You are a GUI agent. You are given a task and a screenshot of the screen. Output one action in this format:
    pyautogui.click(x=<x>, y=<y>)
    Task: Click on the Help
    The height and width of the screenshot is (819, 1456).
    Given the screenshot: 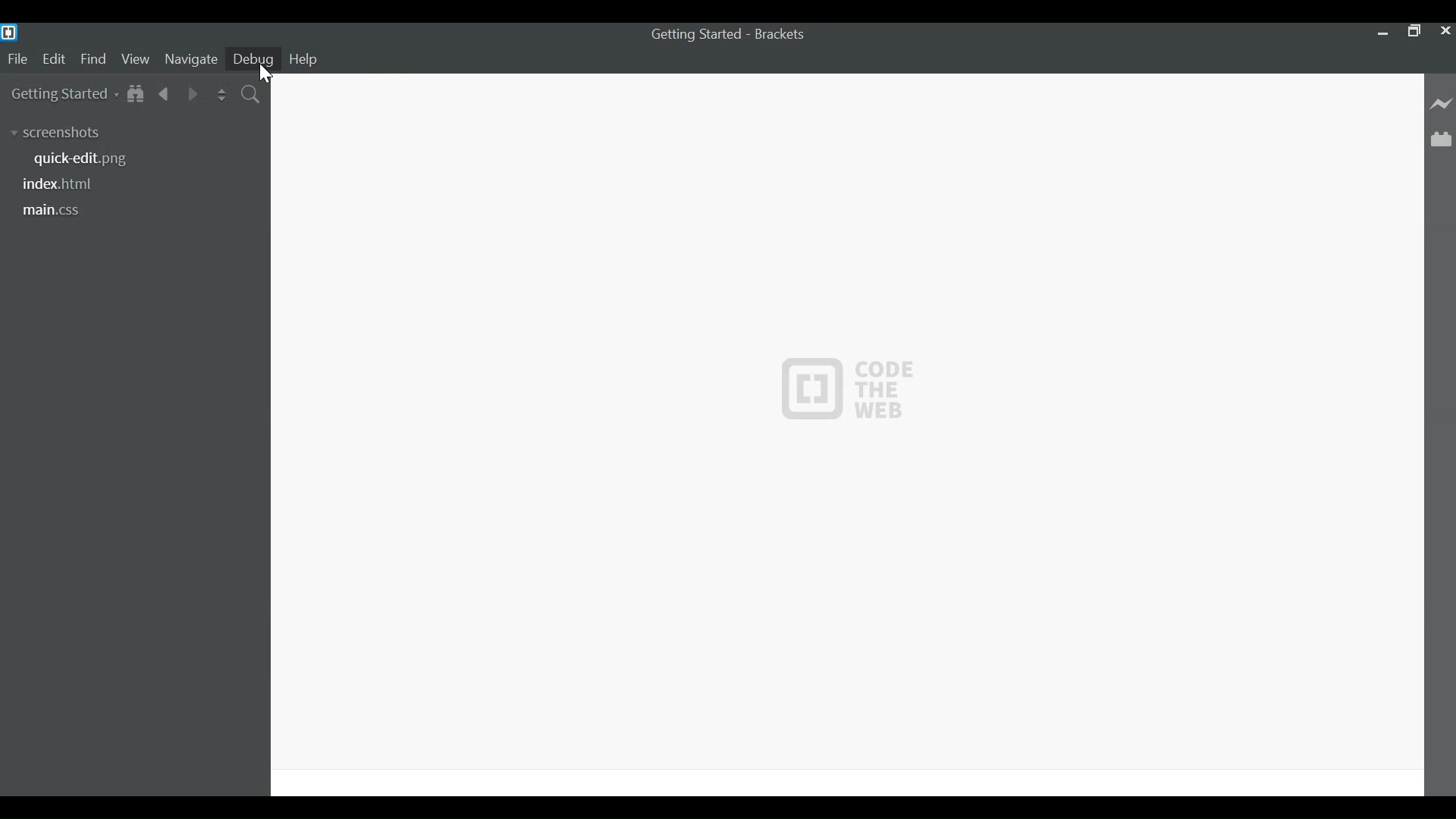 What is the action you would take?
    pyautogui.click(x=306, y=58)
    